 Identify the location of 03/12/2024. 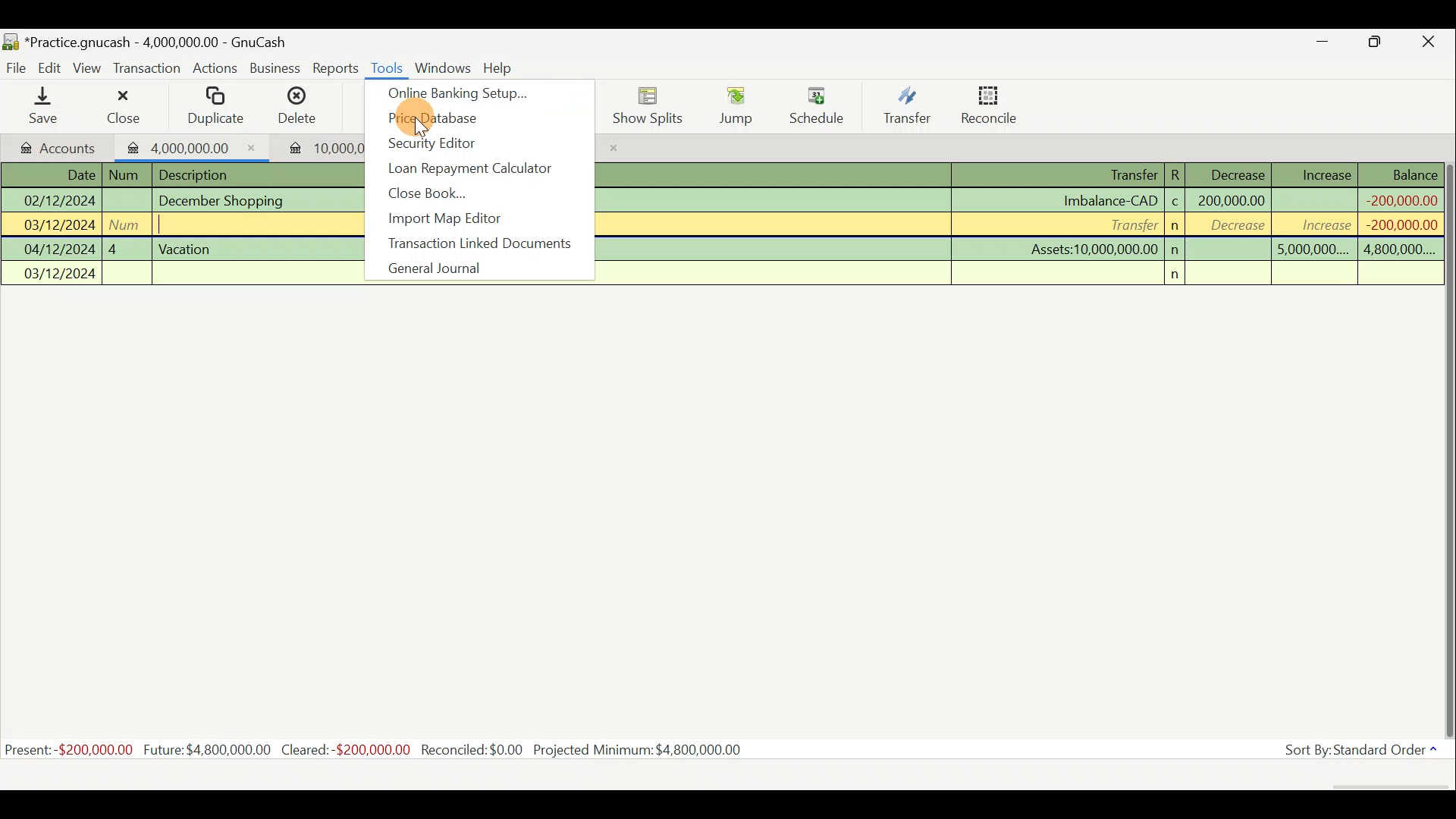
(60, 227).